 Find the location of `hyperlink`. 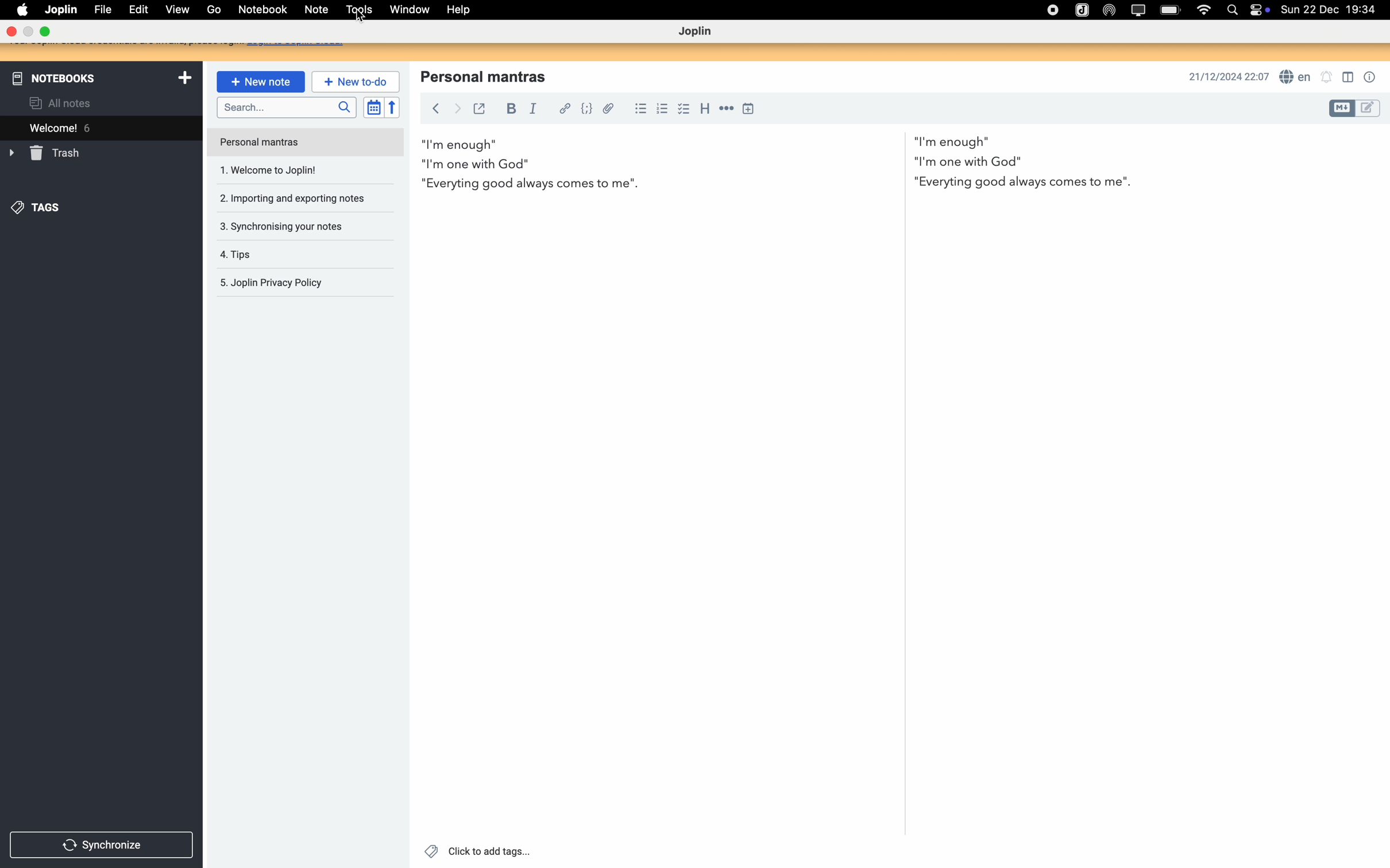

hyperlink is located at coordinates (566, 110).